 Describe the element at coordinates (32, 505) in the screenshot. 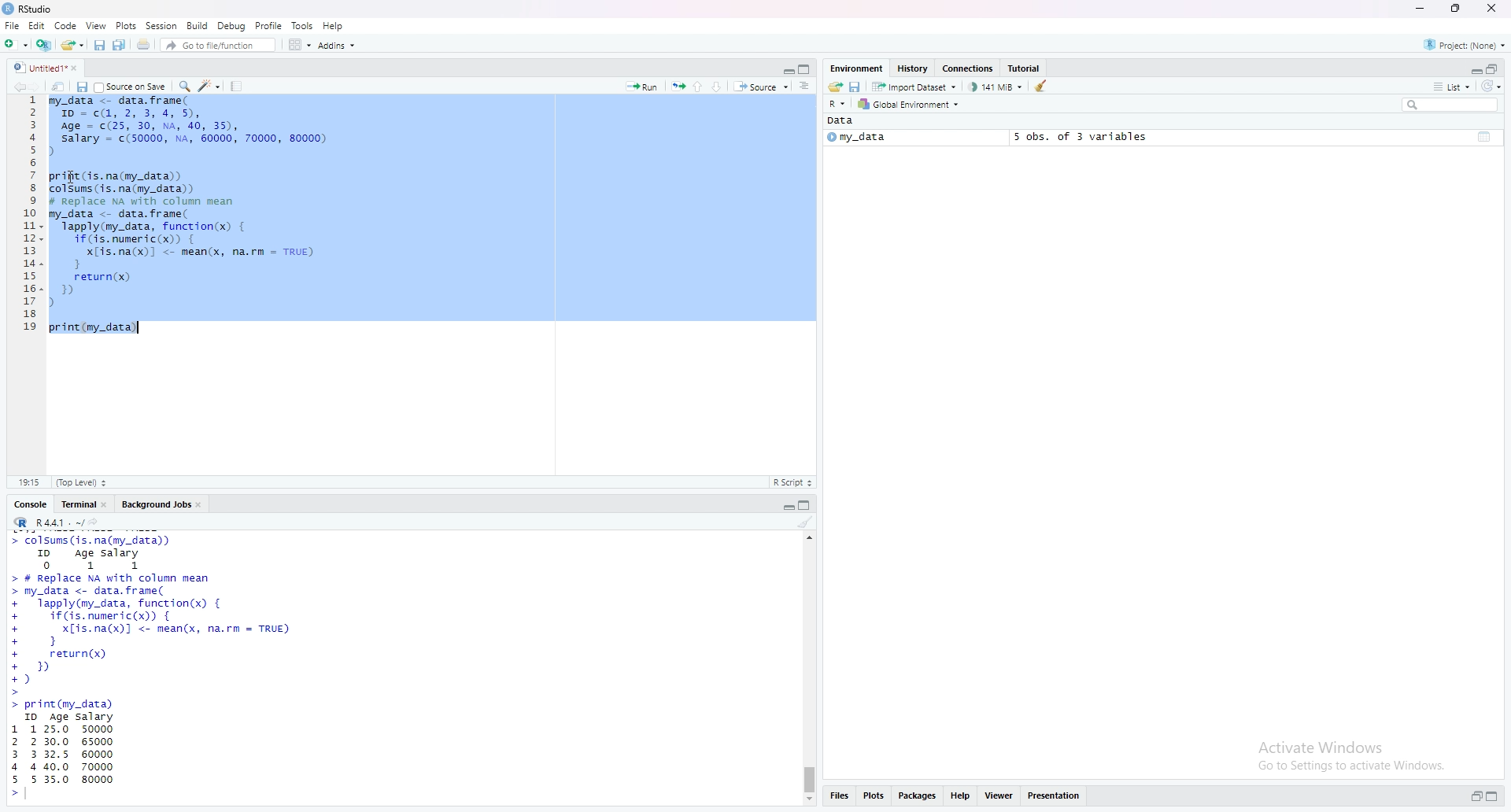

I see `console` at that location.